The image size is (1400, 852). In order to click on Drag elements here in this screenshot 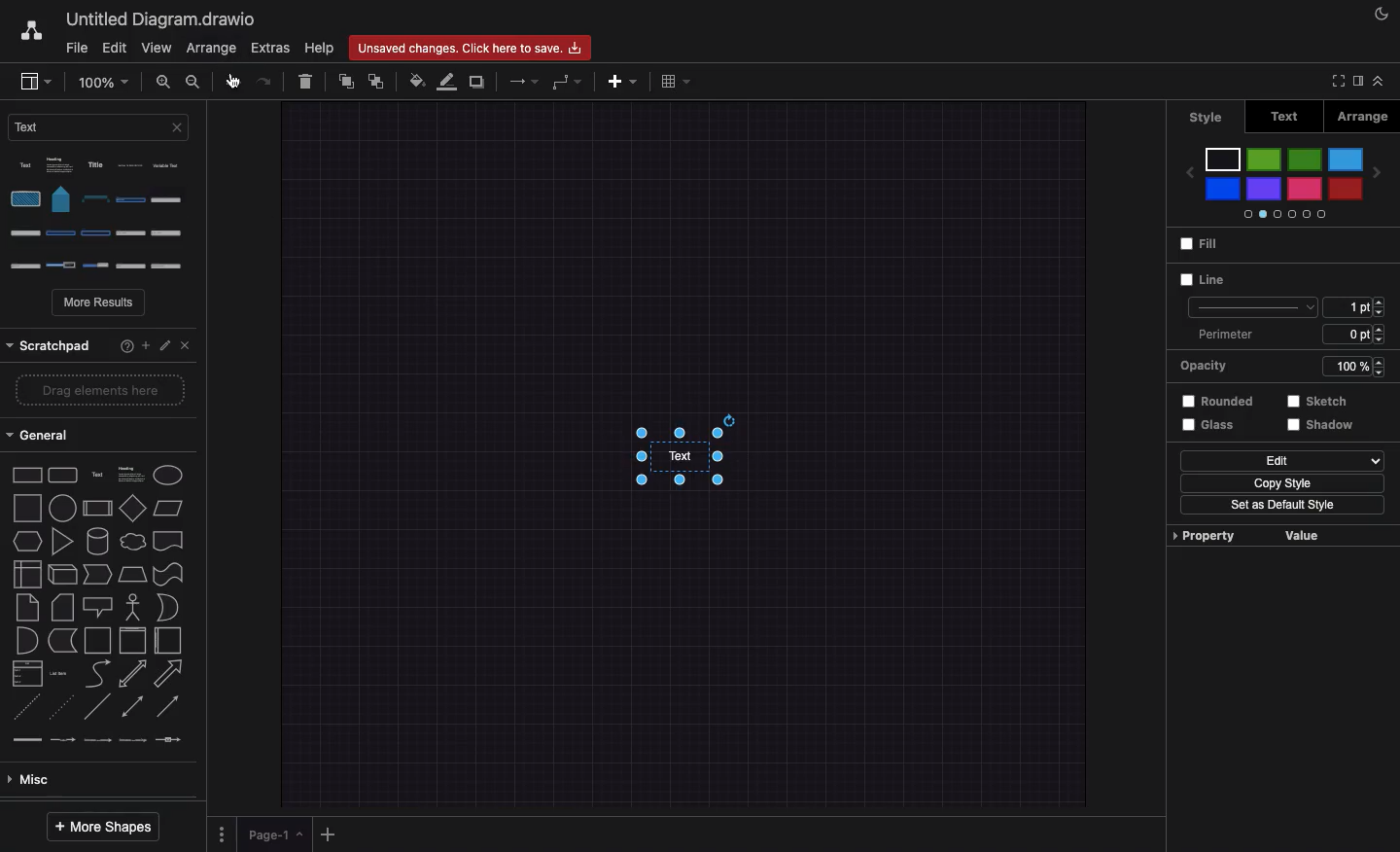, I will do `click(92, 392)`.